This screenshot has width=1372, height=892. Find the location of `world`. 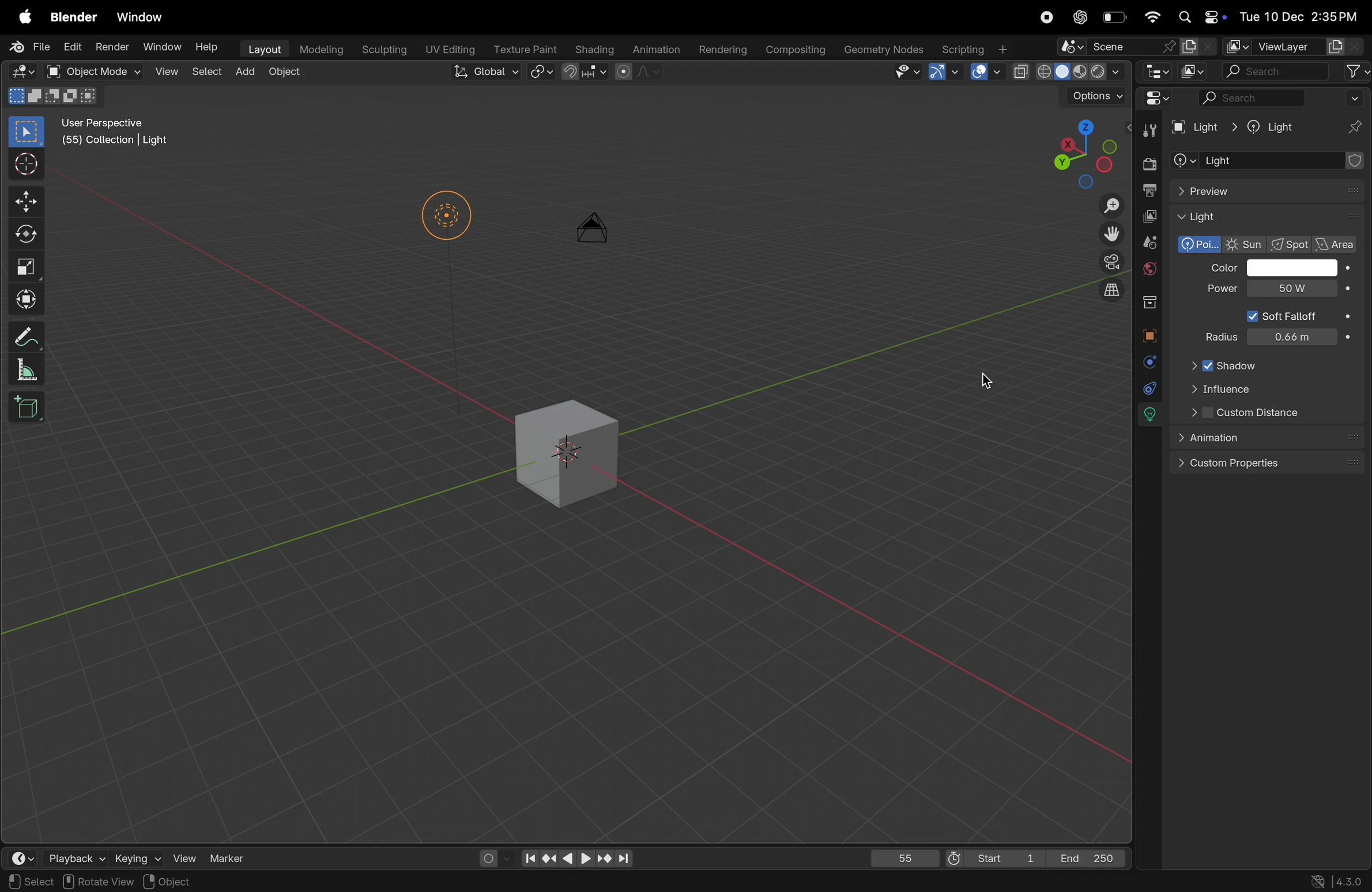

world is located at coordinates (1150, 270).